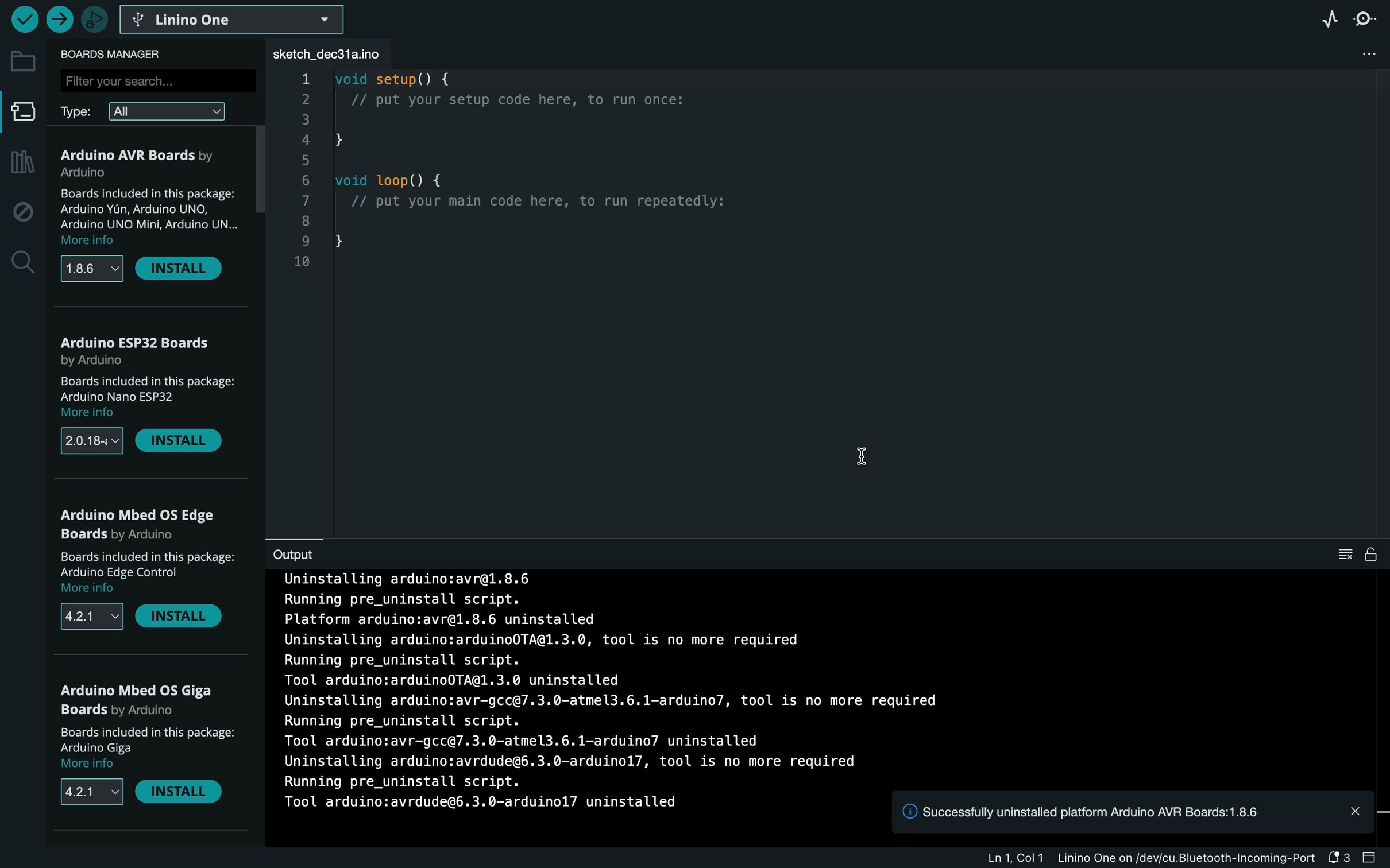 The height and width of the screenshot is (868, 1390). What do you see at coordinates (25, 63) in the screenshot?
I see `folder` at bounding box center [25, 63].